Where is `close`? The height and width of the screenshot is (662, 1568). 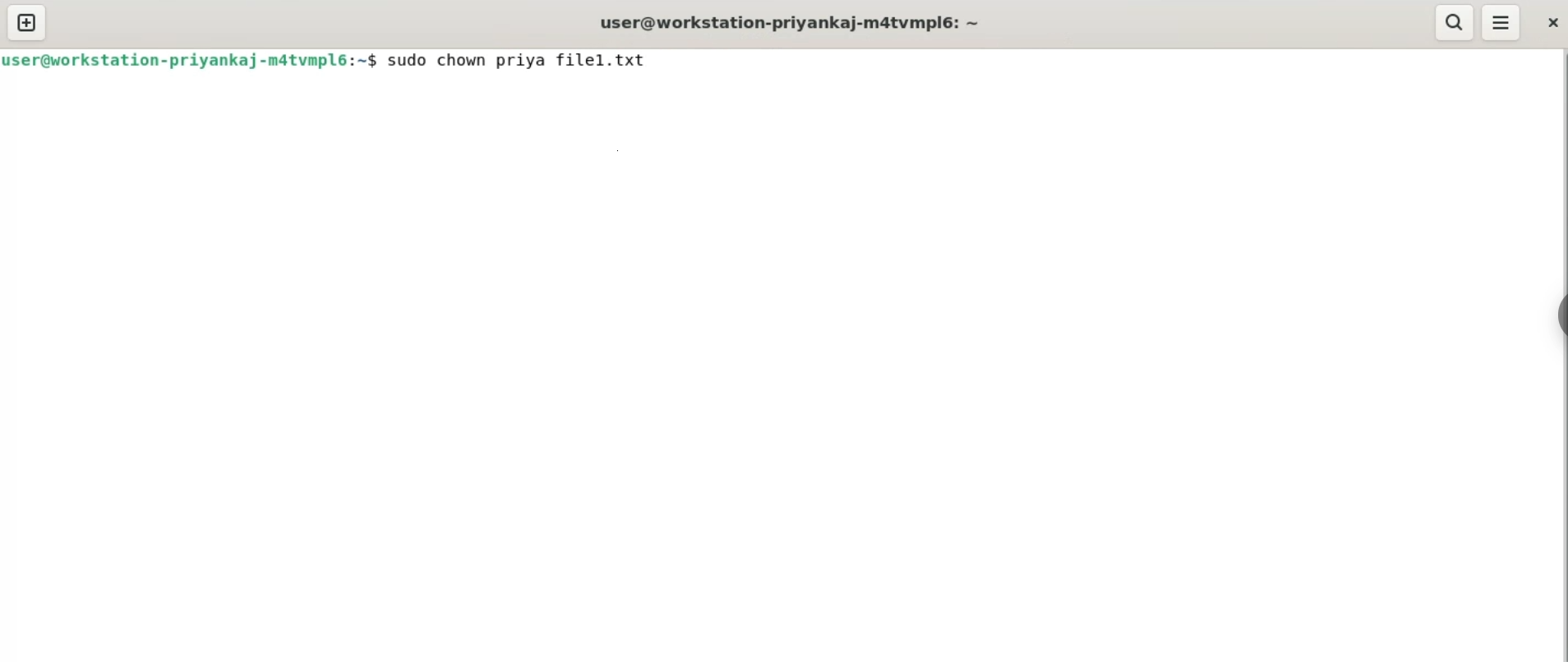 close is located at coordinates (1555, 25).